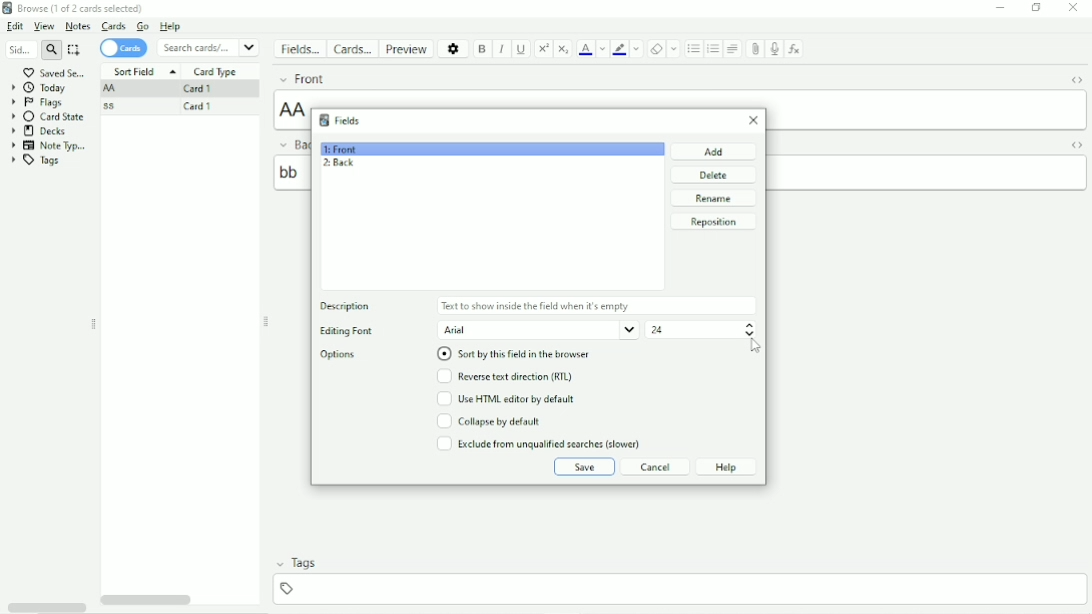 The image size is (1092, 614). I want to click on Rename, so click(716, 199).